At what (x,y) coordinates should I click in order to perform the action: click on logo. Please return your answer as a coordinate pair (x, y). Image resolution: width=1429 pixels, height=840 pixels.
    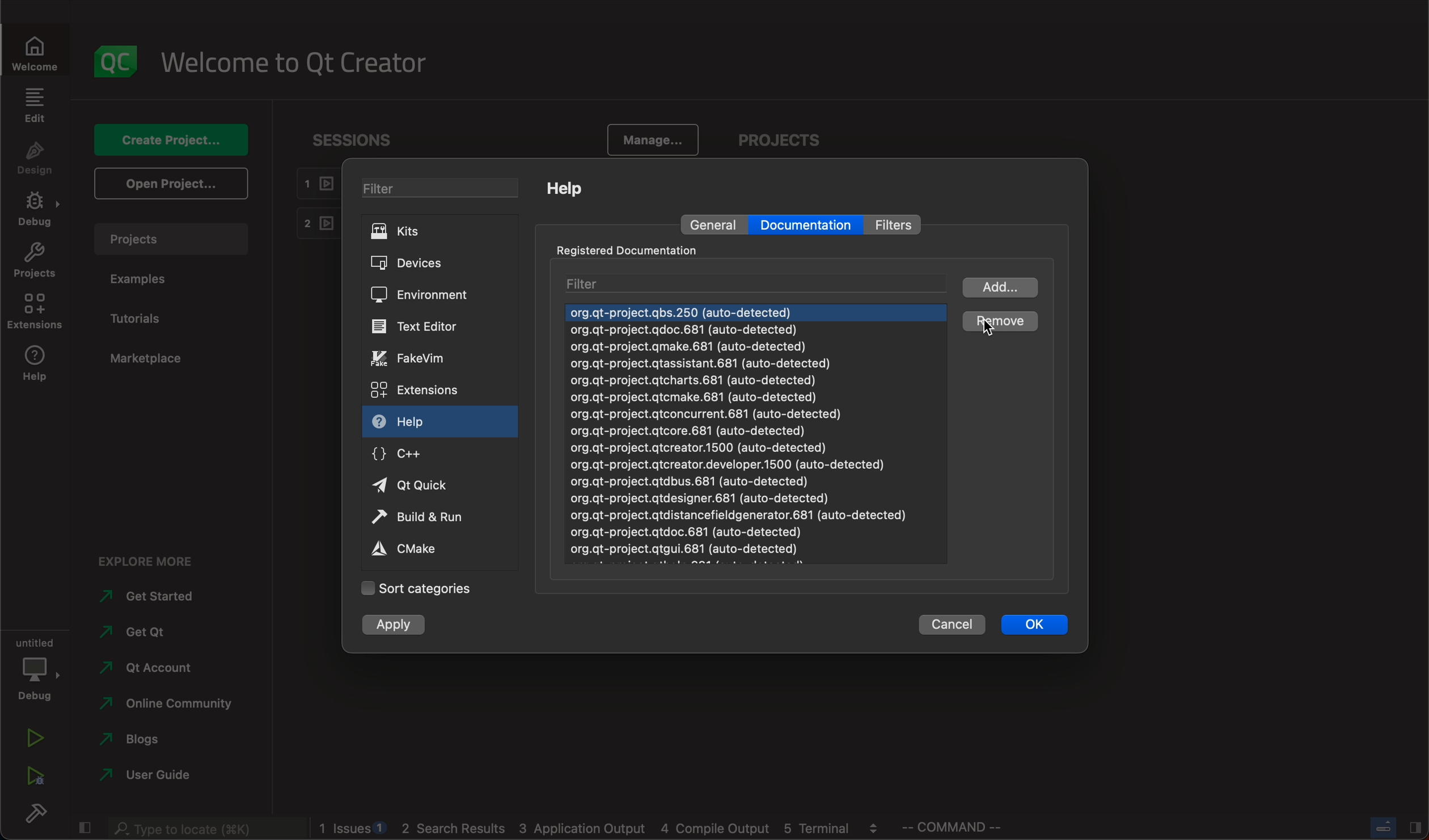
    Looking at the image, I should click on (112, 63).